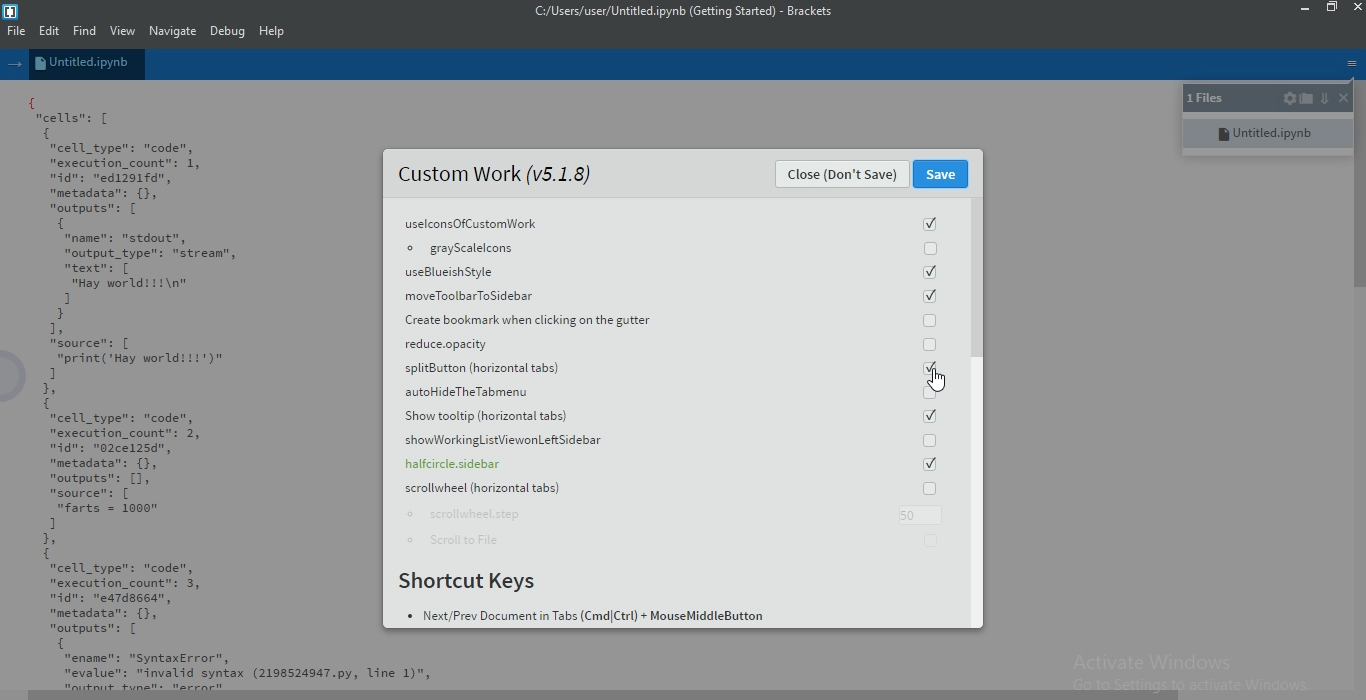 Image resolution: width=1366 pixels, height=700 pixels. What do you see at coordinates (183, 388) in the screenshot?
I see `{
cells: [
{
"cell _type": "code",
"execution_count": 1,
nidn: "ed1291fd",
"metadata": {},
"outputs": [
{
"name": "stdout",
"output_type": "strean",
mtextn: [
“Hay world!!!\n"
1
}
1,
source: [
"print('Hay worlditt')"
1
1,
1
"cell _type": "code",
"execution_count": 2,
dn: "02ce125d",
"metadata": {},
"outputs": [1,
"source": [
"farts = 1000"
1
1,
1
"cell _type": "code",
"execution_count": 3,
nidn: "ea7dssed”,
"metadata": {},
"outputs": [
{
“ename": "SyntaxError",
"evalue": "invalid syntax (2198524947.py, Line 1)",` at bounding box center [183, 388].